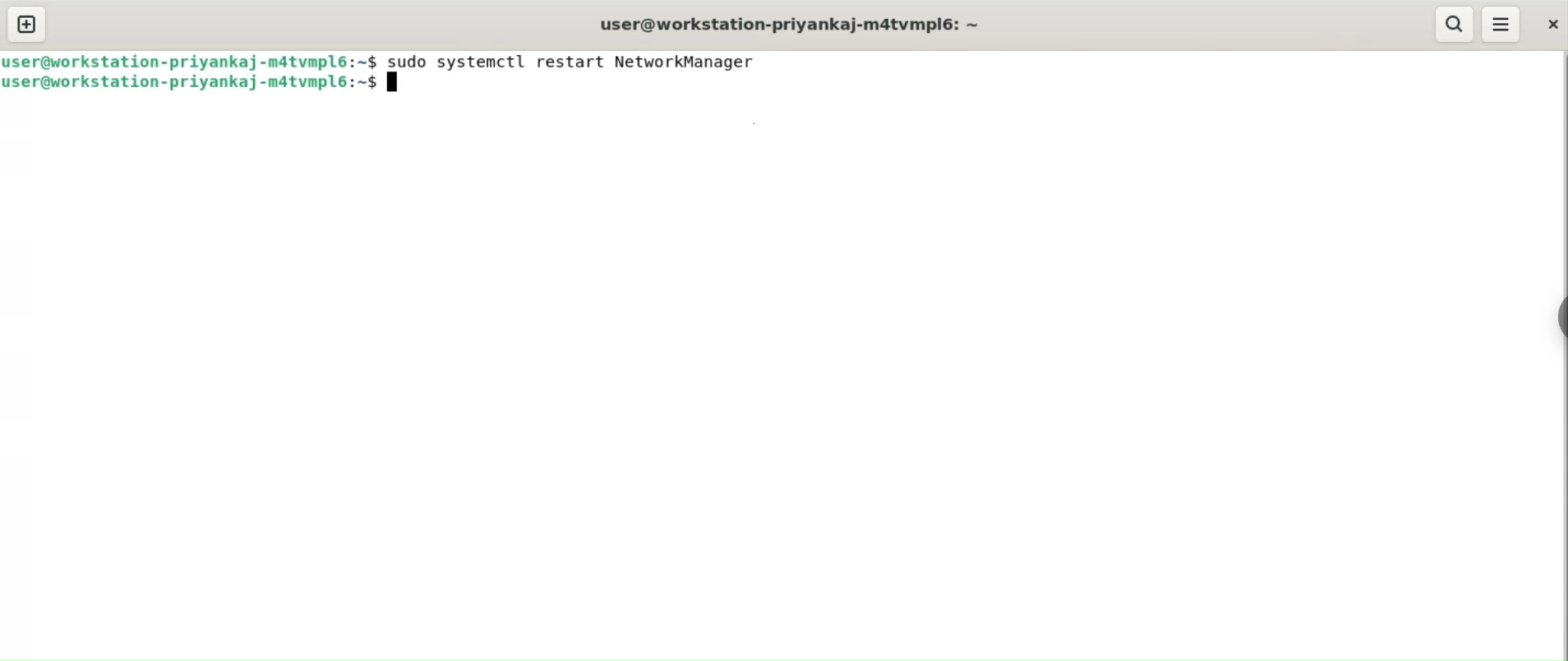 This screenshot has height=661, width=1568. I want to click on user@workstation-priyankaj-m4tvmlp6:~, so click(797, 23).